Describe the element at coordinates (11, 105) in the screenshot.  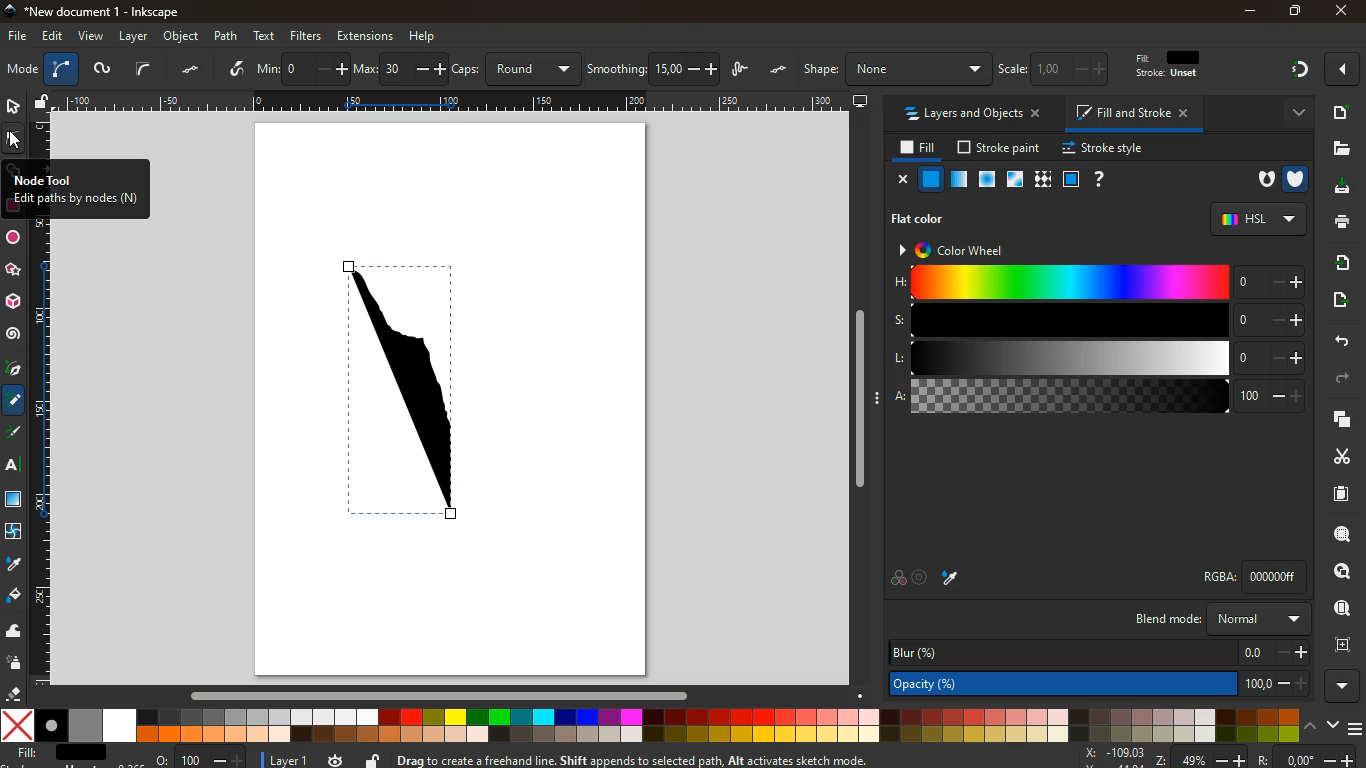
I see `select` at that location.